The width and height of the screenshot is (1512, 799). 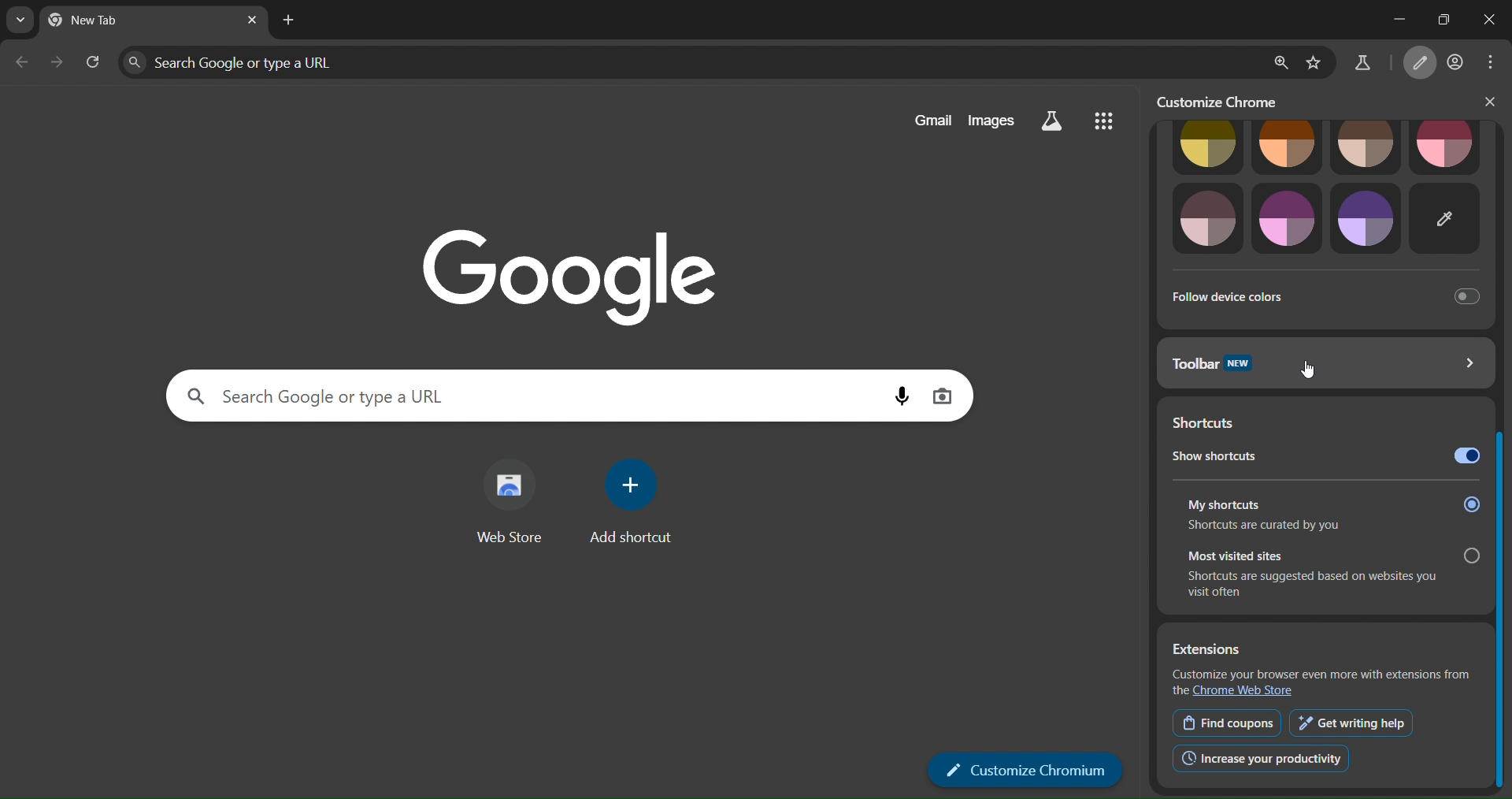 I want to click on the, so click(x=1179, y=690).